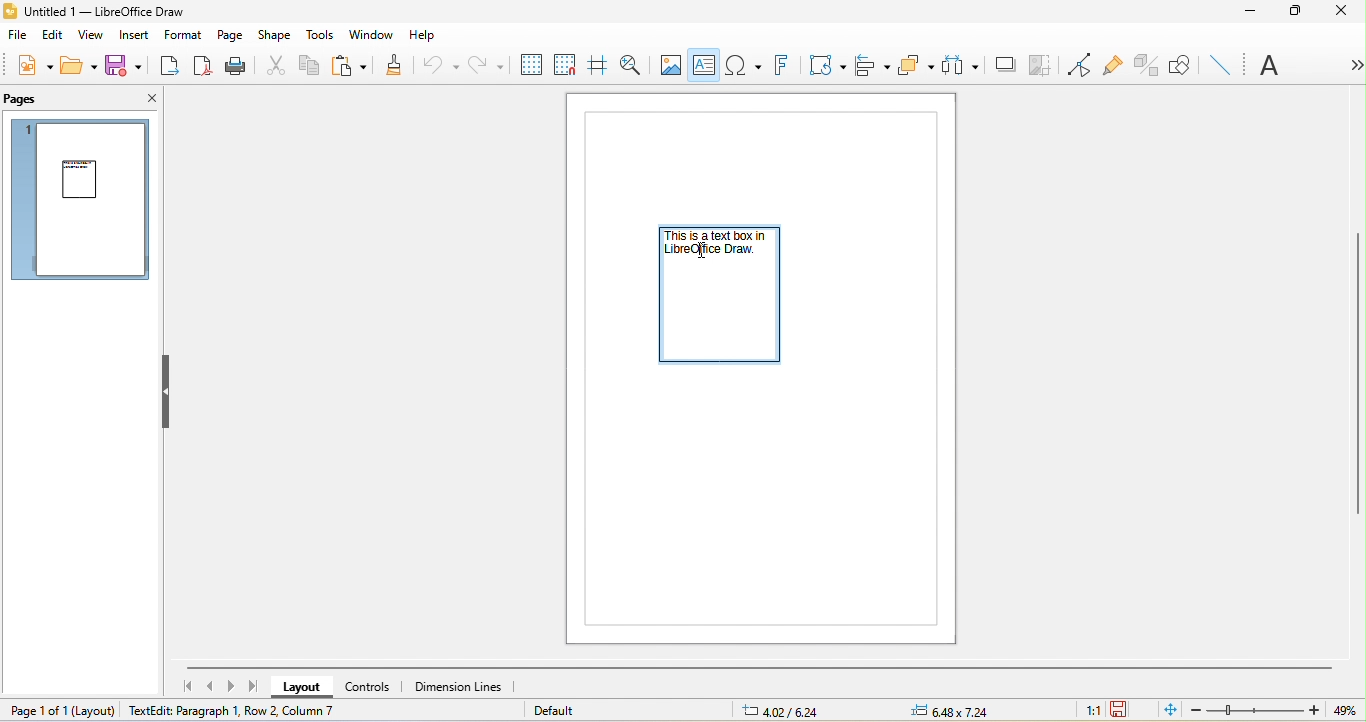 The image size is (1366, 722). I want to click on special character, so click(745, 66).